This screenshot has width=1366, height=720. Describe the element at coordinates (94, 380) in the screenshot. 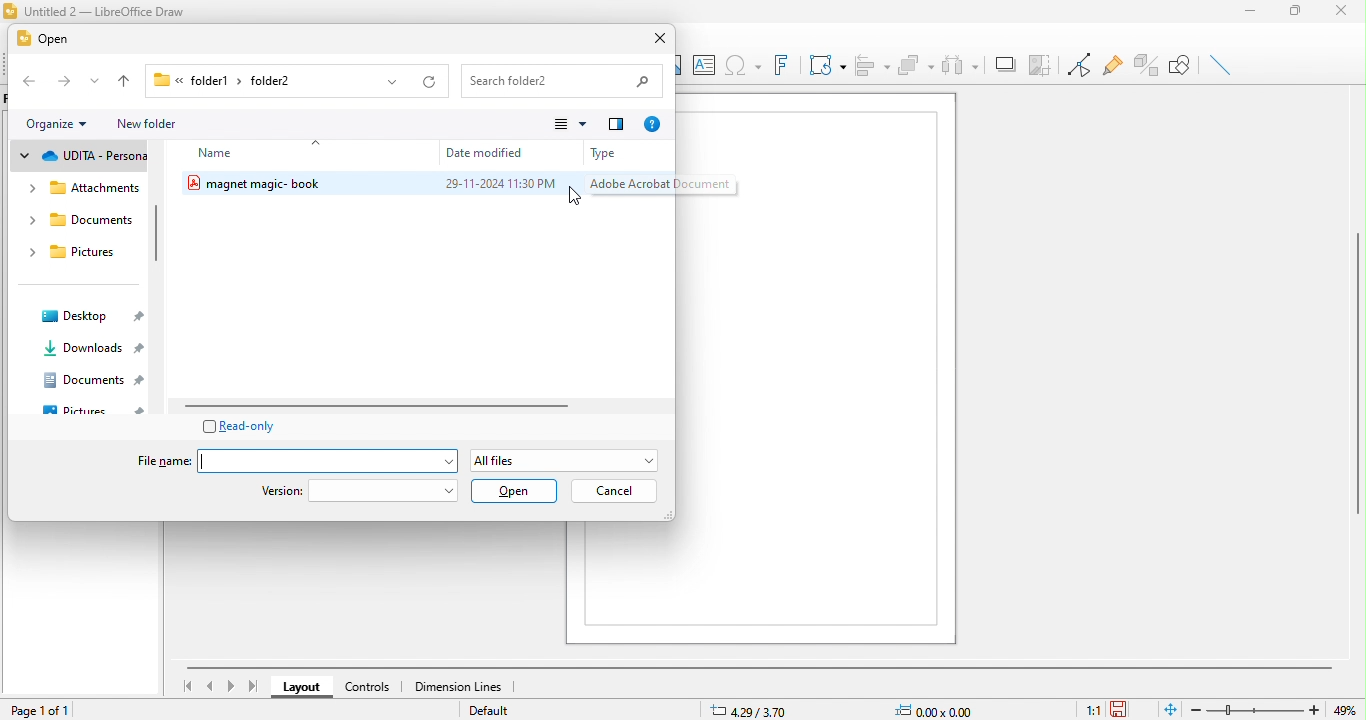

I see `documents` at that location.